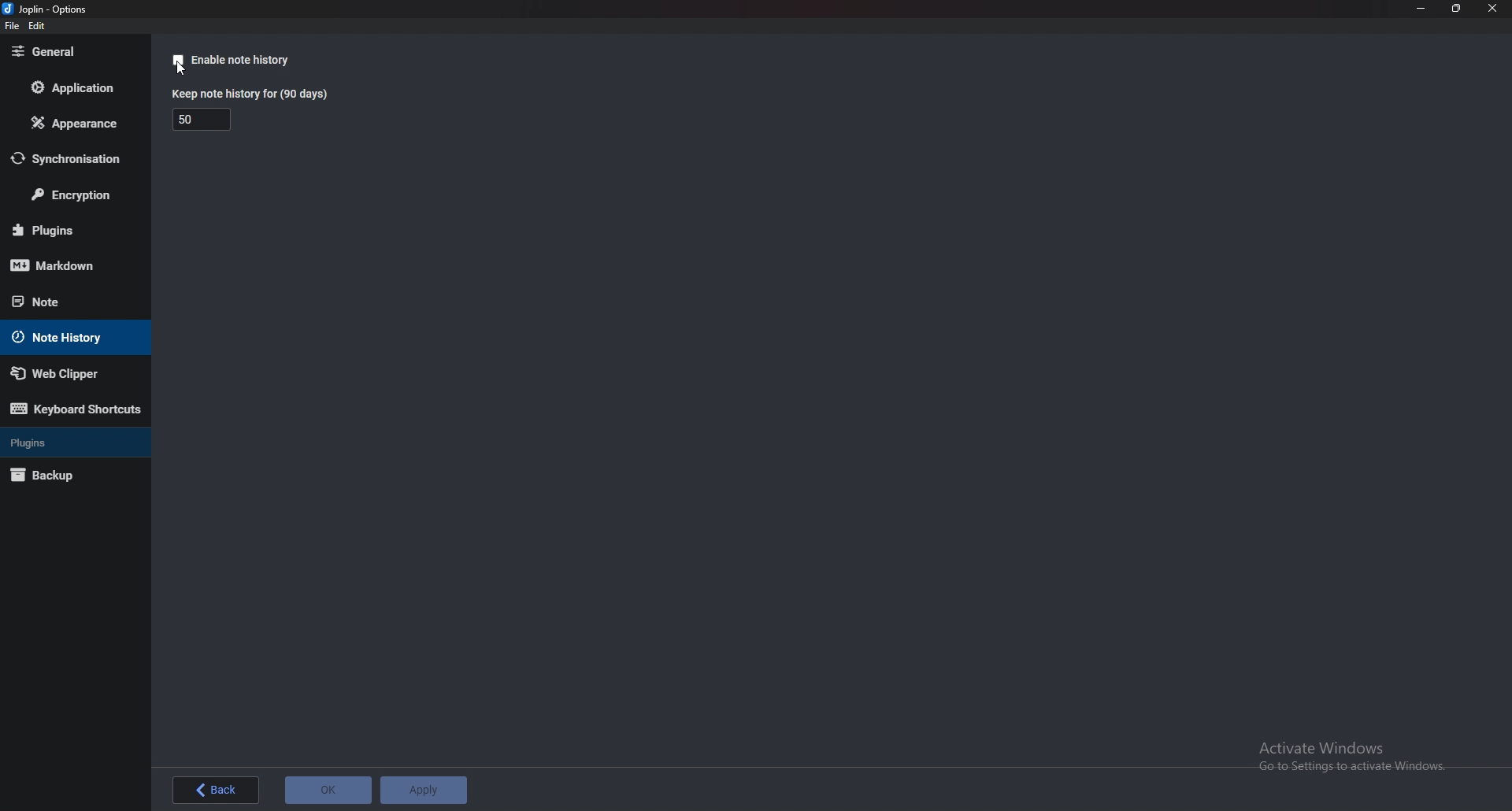 The width and height of the screenshot is (1512, 811). Describe the element at coordinates (76, 408) in the screenshot. I see `Keyboard shortcuts` at that location.